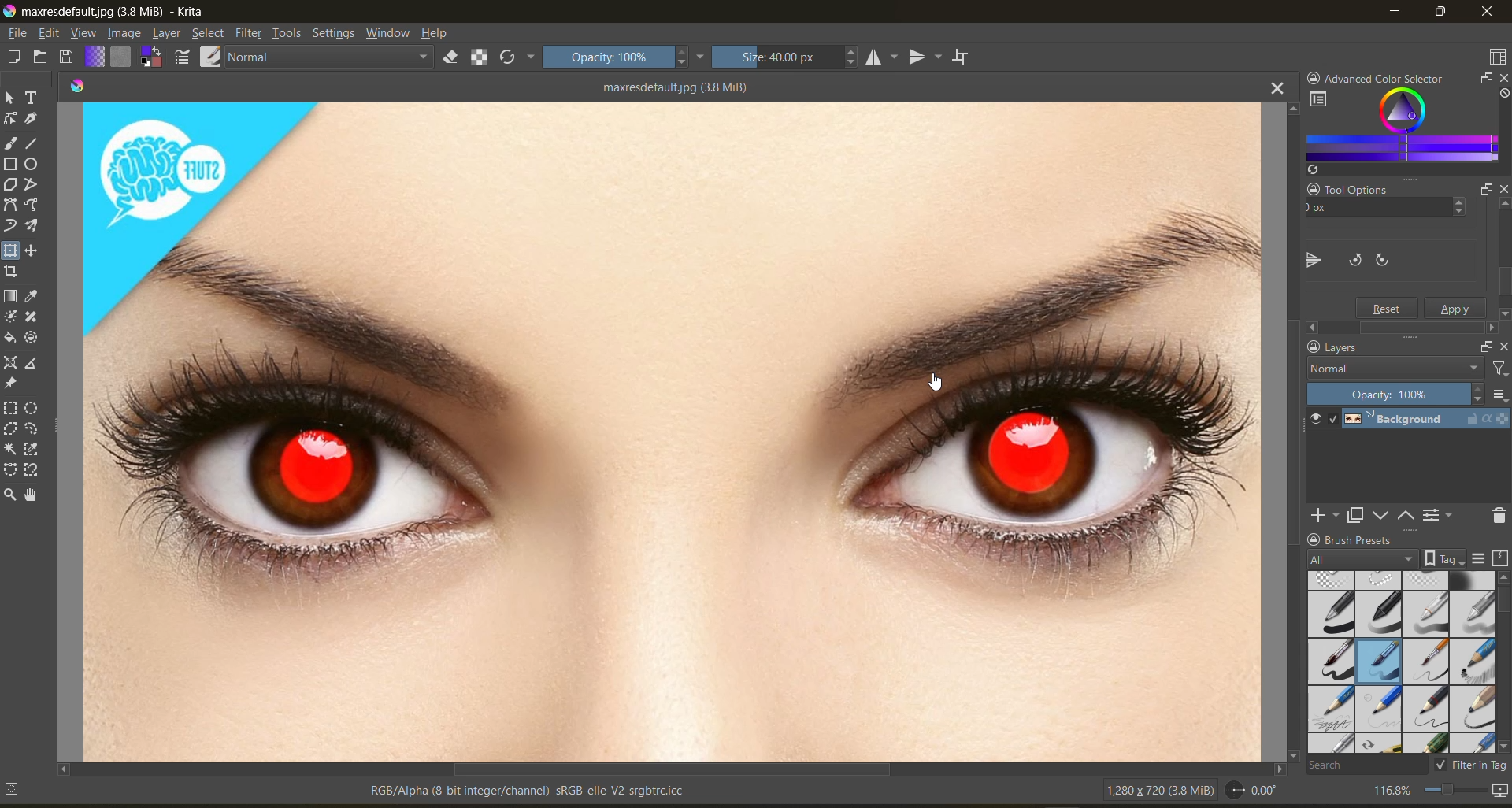 Image resolution: width=1512 pixels, height=808 pixels. What do you see at coordinates (1498, 369) in the screenshot?
I see `filter` at bounding box center [1498, 369].